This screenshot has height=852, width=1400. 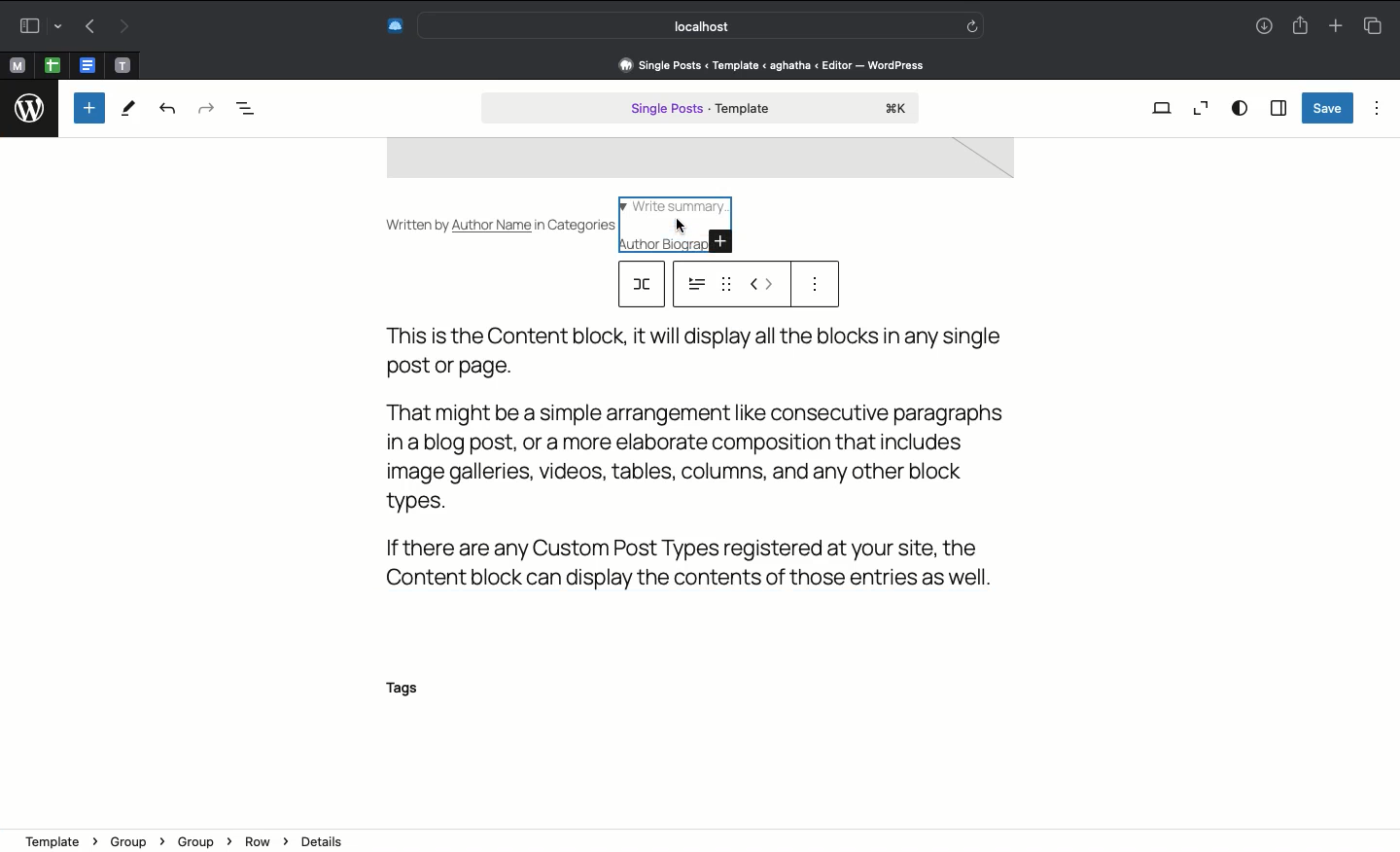 What do you see at coordinates (1300, 26) in the screenshot?
I see `Share` at bounding box center [1300, 26].